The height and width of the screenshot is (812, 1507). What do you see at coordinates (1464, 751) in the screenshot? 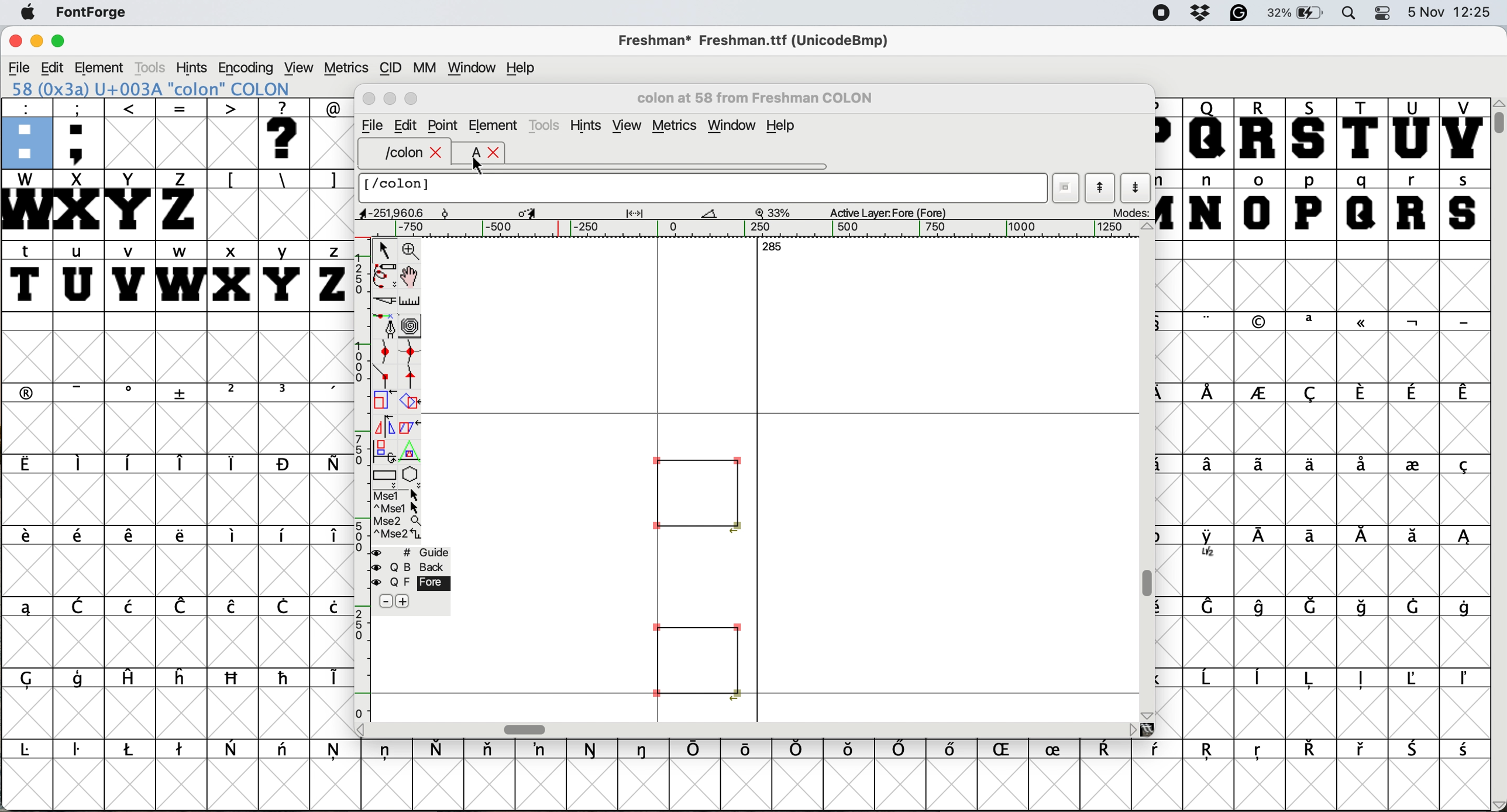
I see `symbol` at bounding box center [1464, 751].